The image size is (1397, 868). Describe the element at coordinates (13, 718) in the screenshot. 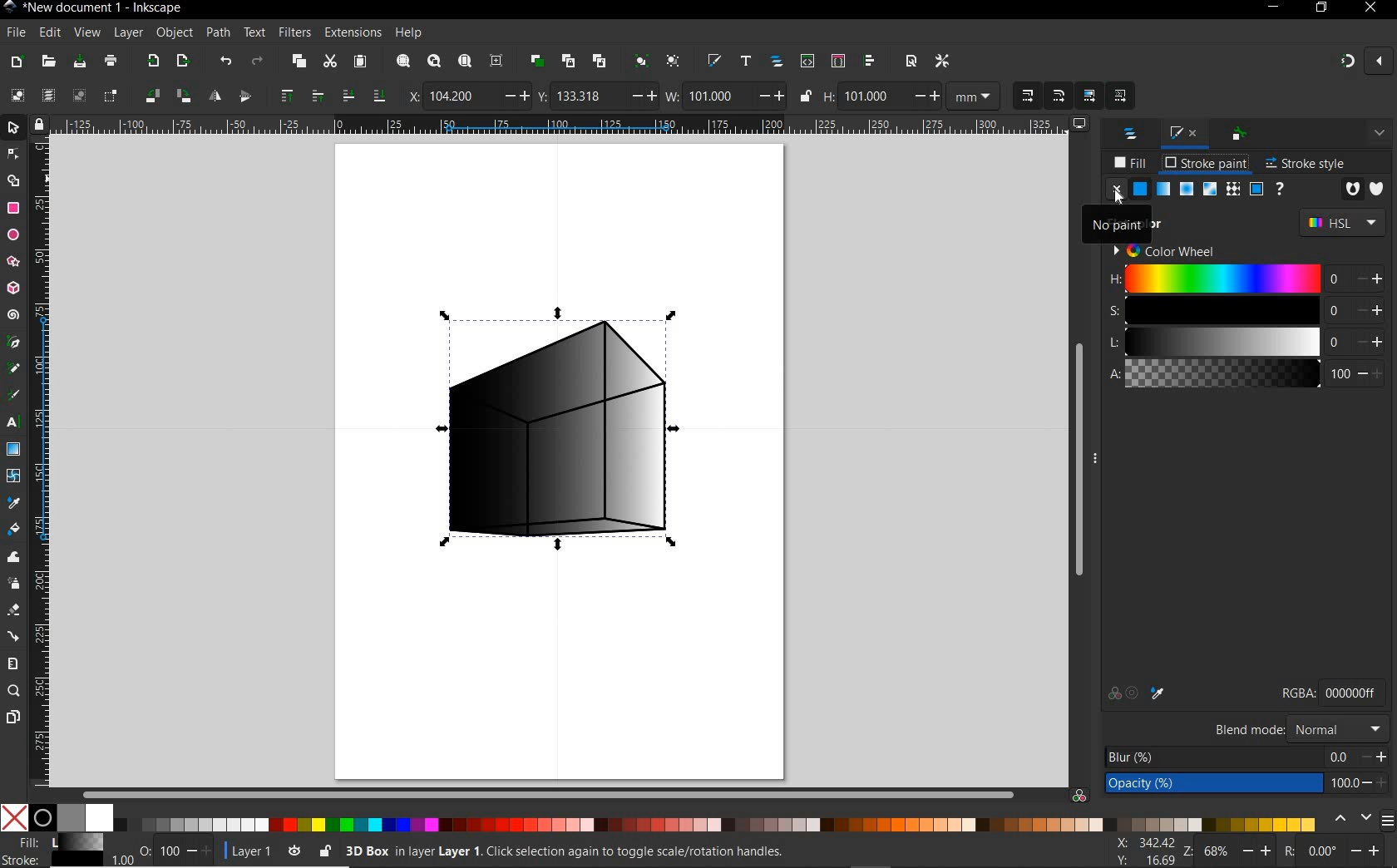

I see `PAGES TOOL` at that location.